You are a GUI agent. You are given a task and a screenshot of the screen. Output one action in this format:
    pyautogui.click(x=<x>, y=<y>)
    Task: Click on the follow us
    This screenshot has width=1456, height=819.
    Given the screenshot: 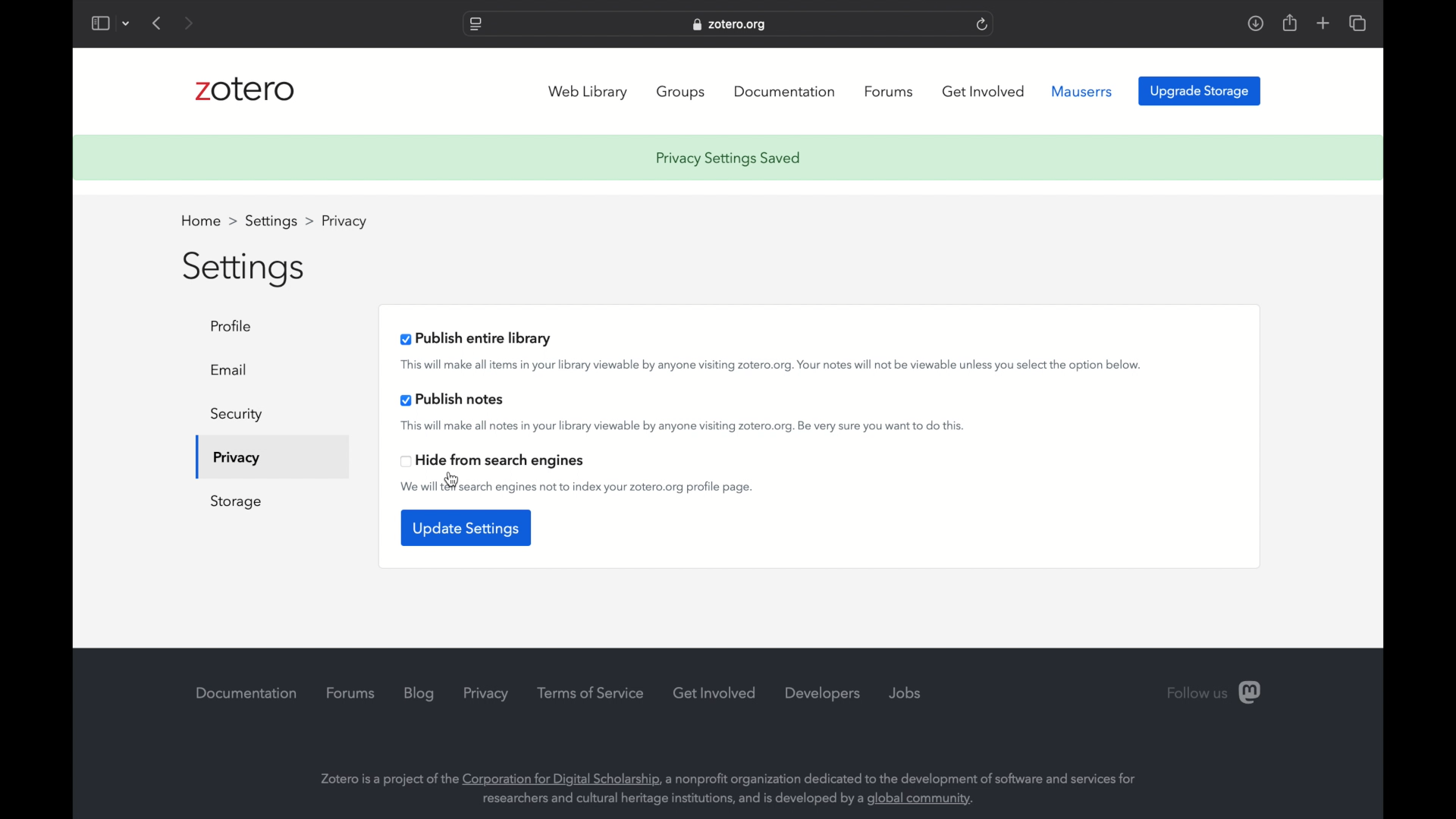 What is the action you would take?
    pyautogui.click(x=1218, y=694)
    